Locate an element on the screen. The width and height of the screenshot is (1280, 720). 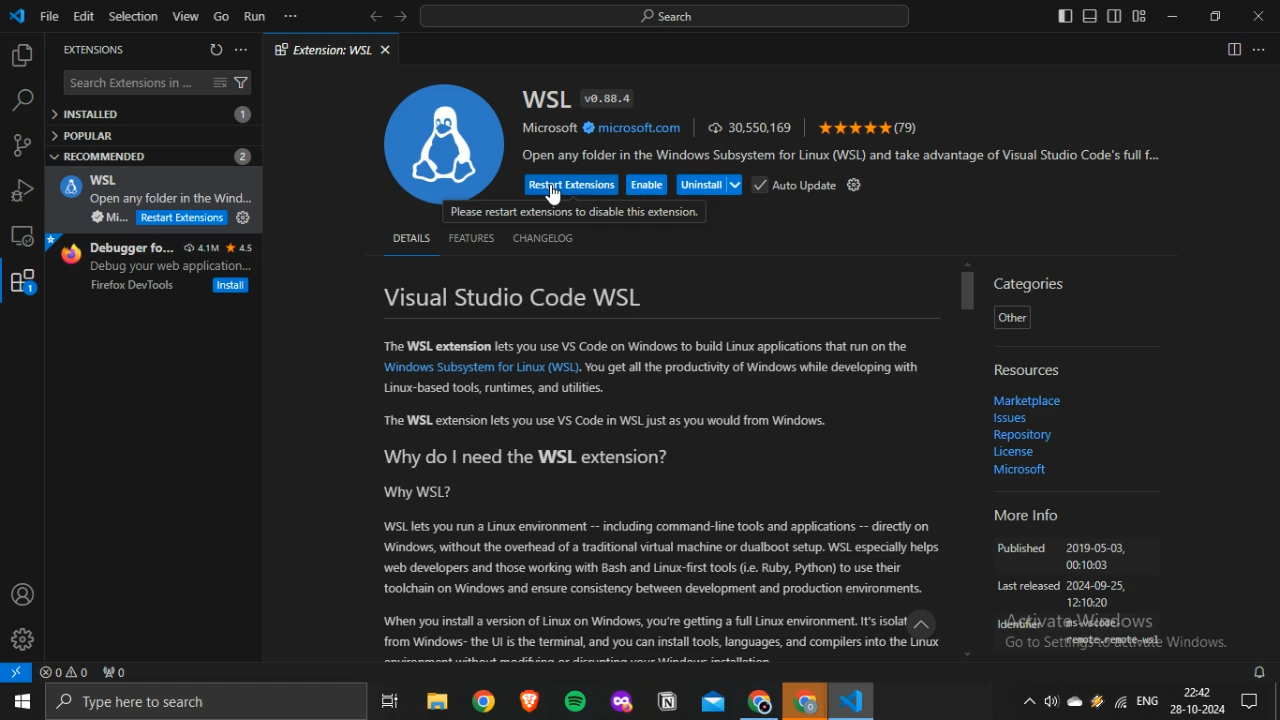
winamp agent is located at coordinates (1097, 701).